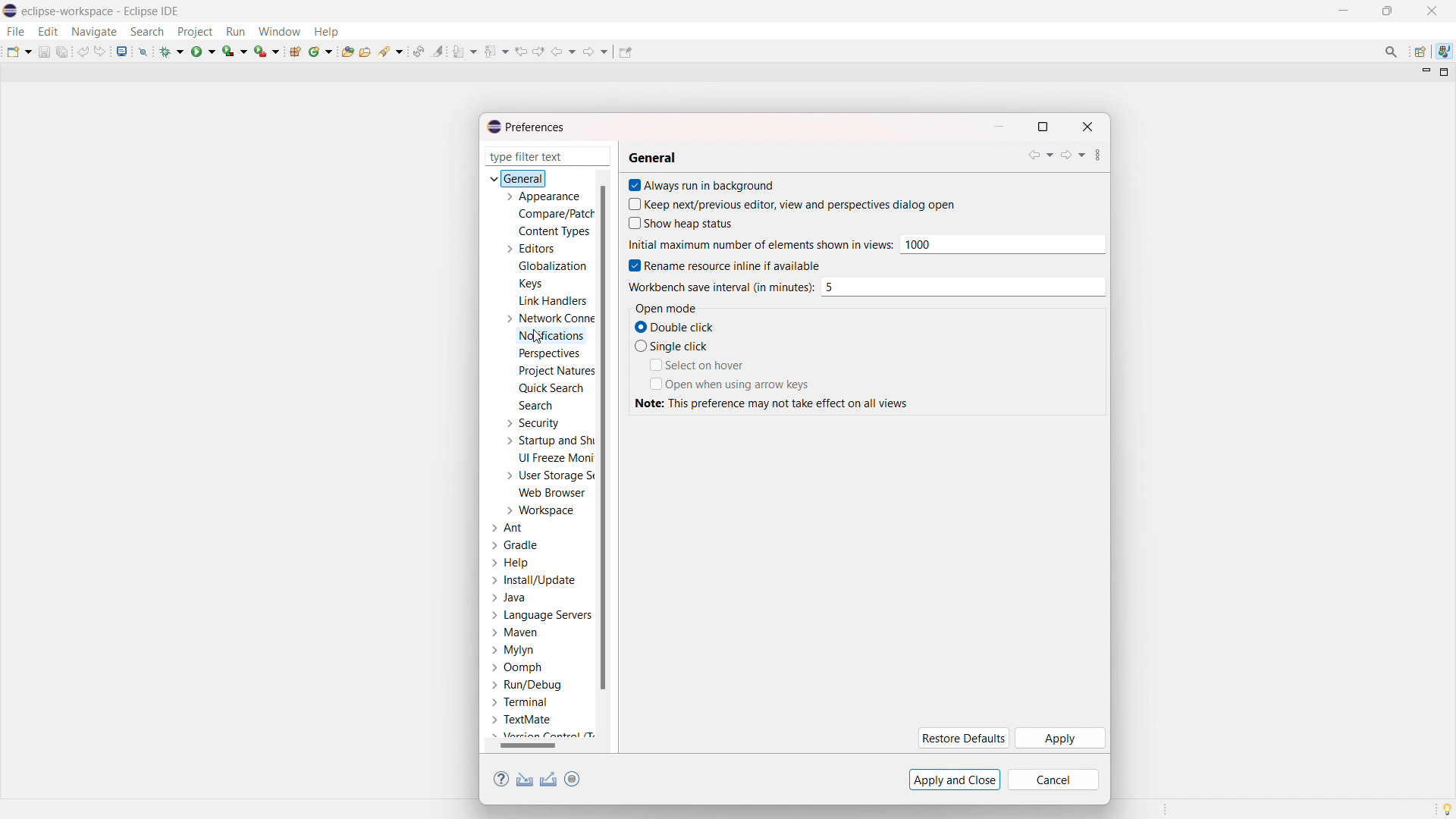  Describe the element at coordinates (1445, 72) in the screenshot. I see `maximize view` at that location.